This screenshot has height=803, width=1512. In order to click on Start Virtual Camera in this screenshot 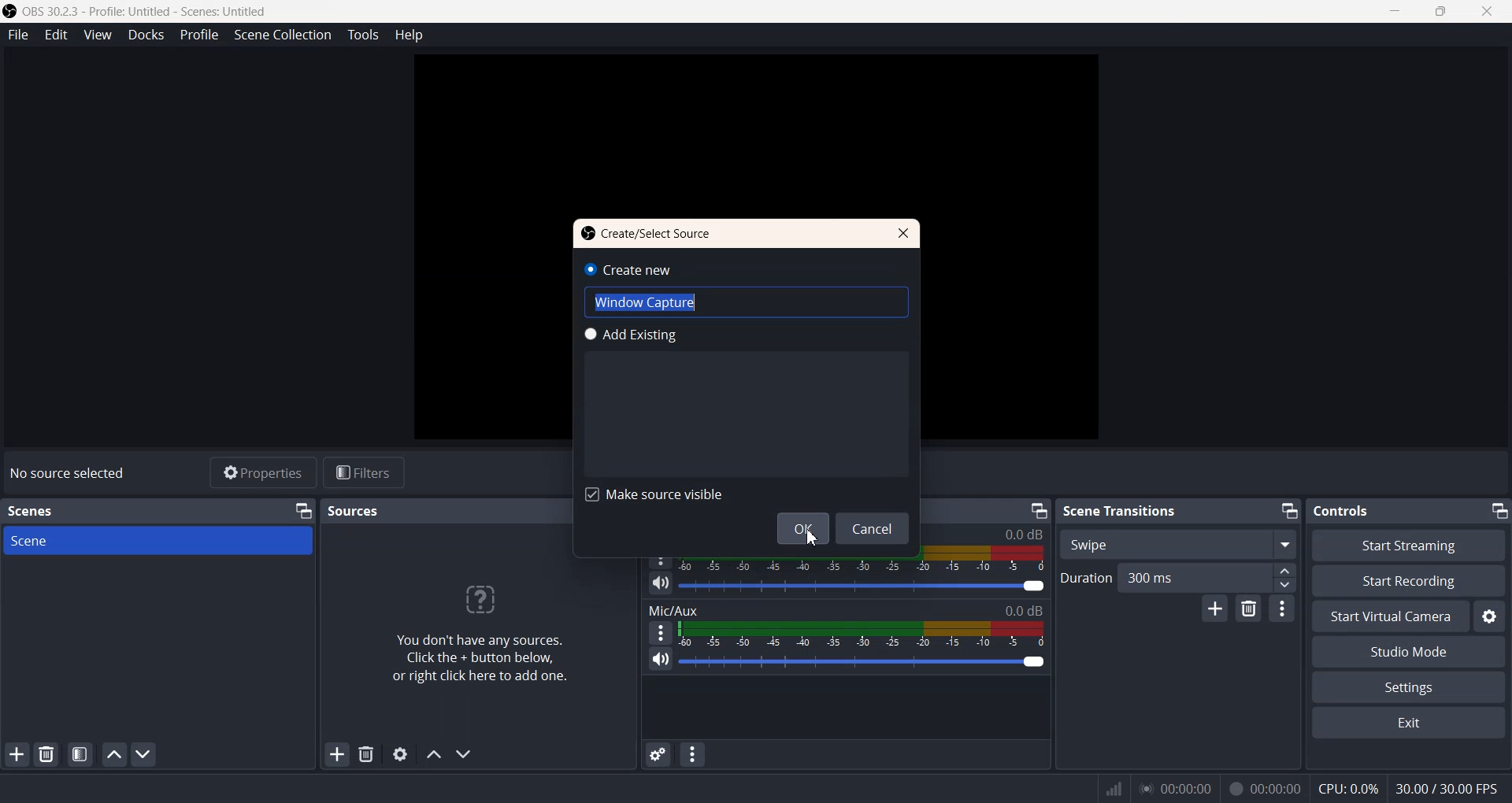, I will do `click(1388, 616)`.